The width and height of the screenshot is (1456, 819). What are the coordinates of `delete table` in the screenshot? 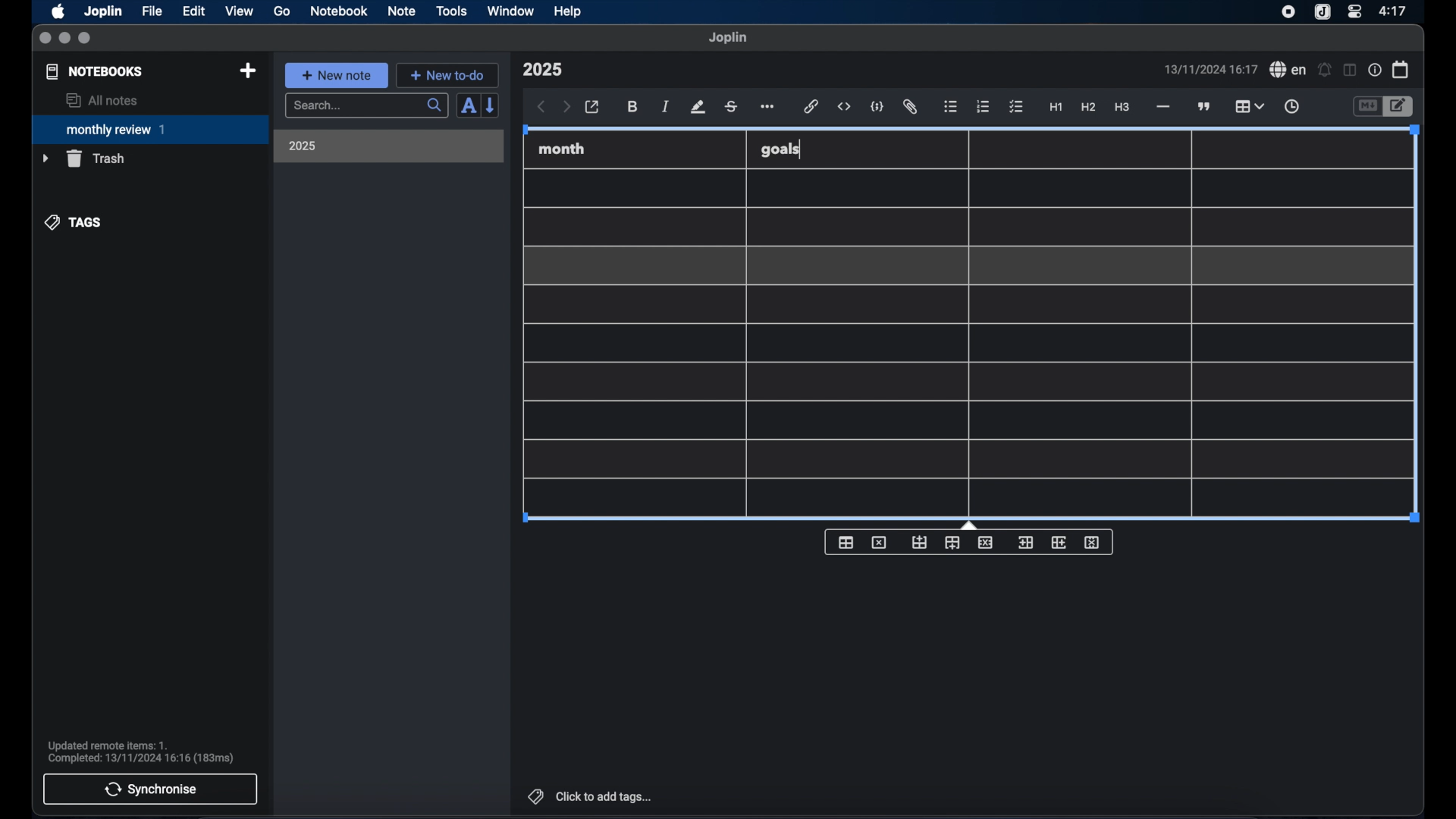 It's located at (879, 543).